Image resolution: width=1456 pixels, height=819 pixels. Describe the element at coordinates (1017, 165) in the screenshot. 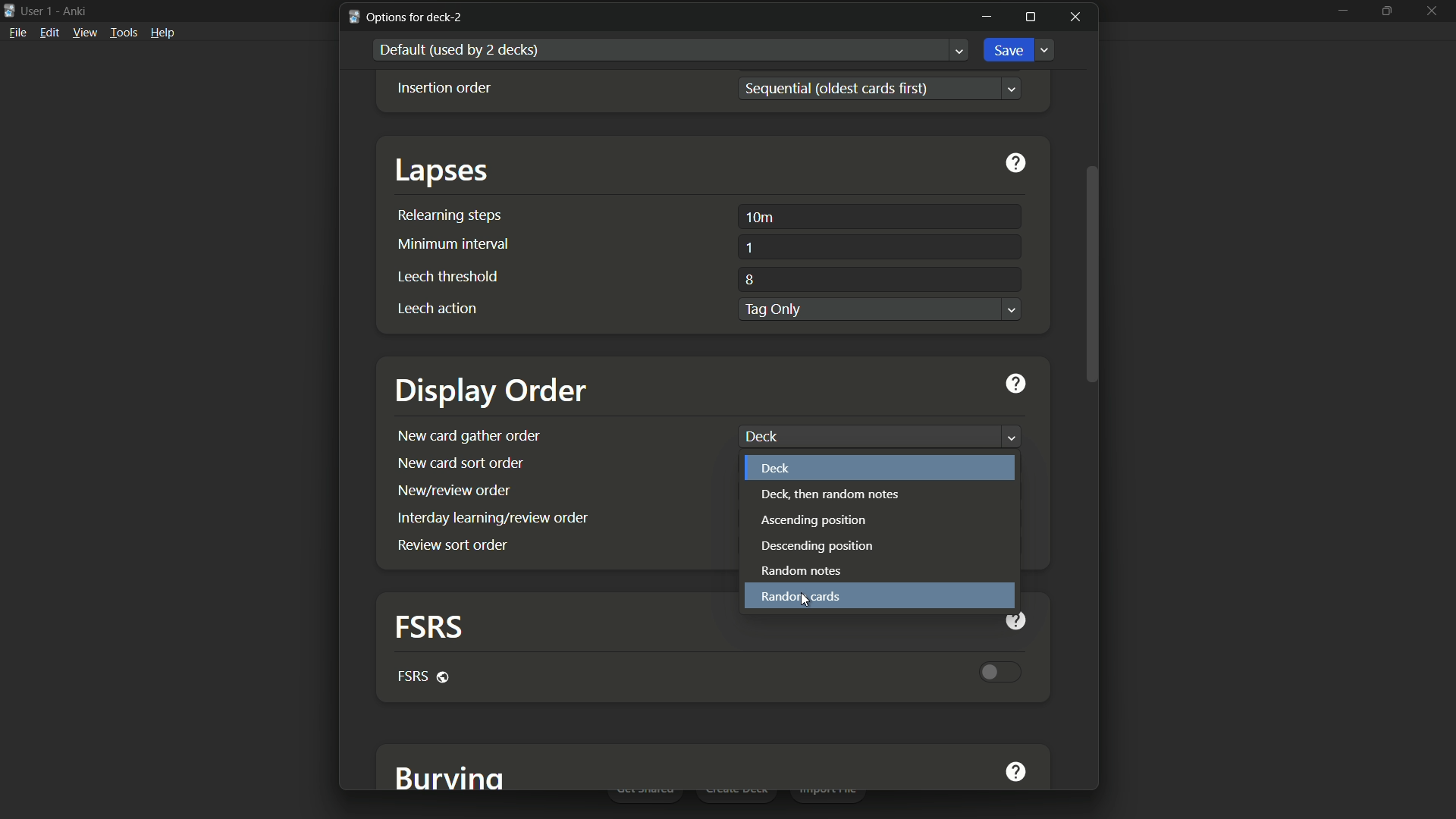

I see `get help` at that location.